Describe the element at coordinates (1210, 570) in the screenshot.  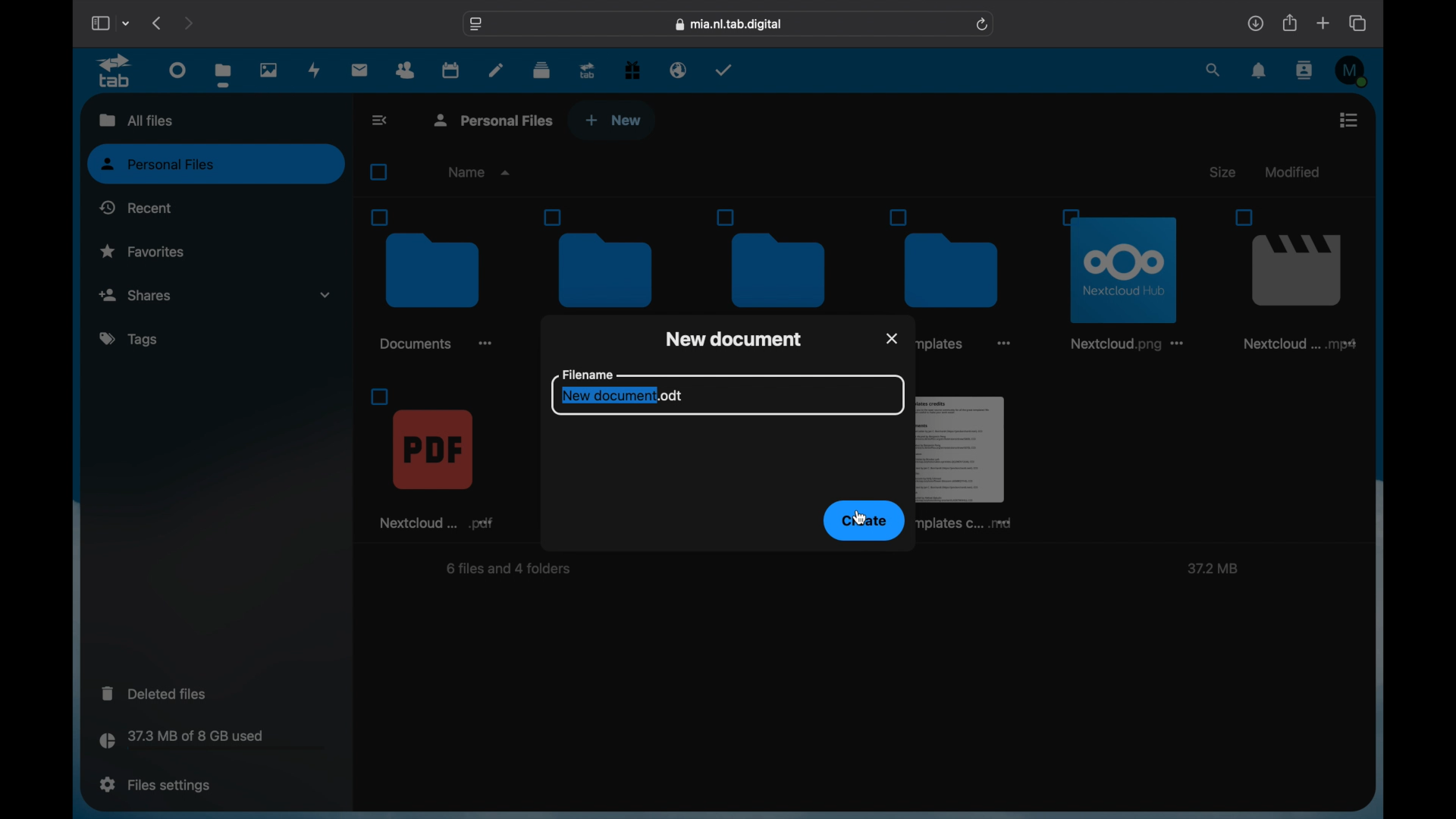
I see `37.2 MB` at that location.